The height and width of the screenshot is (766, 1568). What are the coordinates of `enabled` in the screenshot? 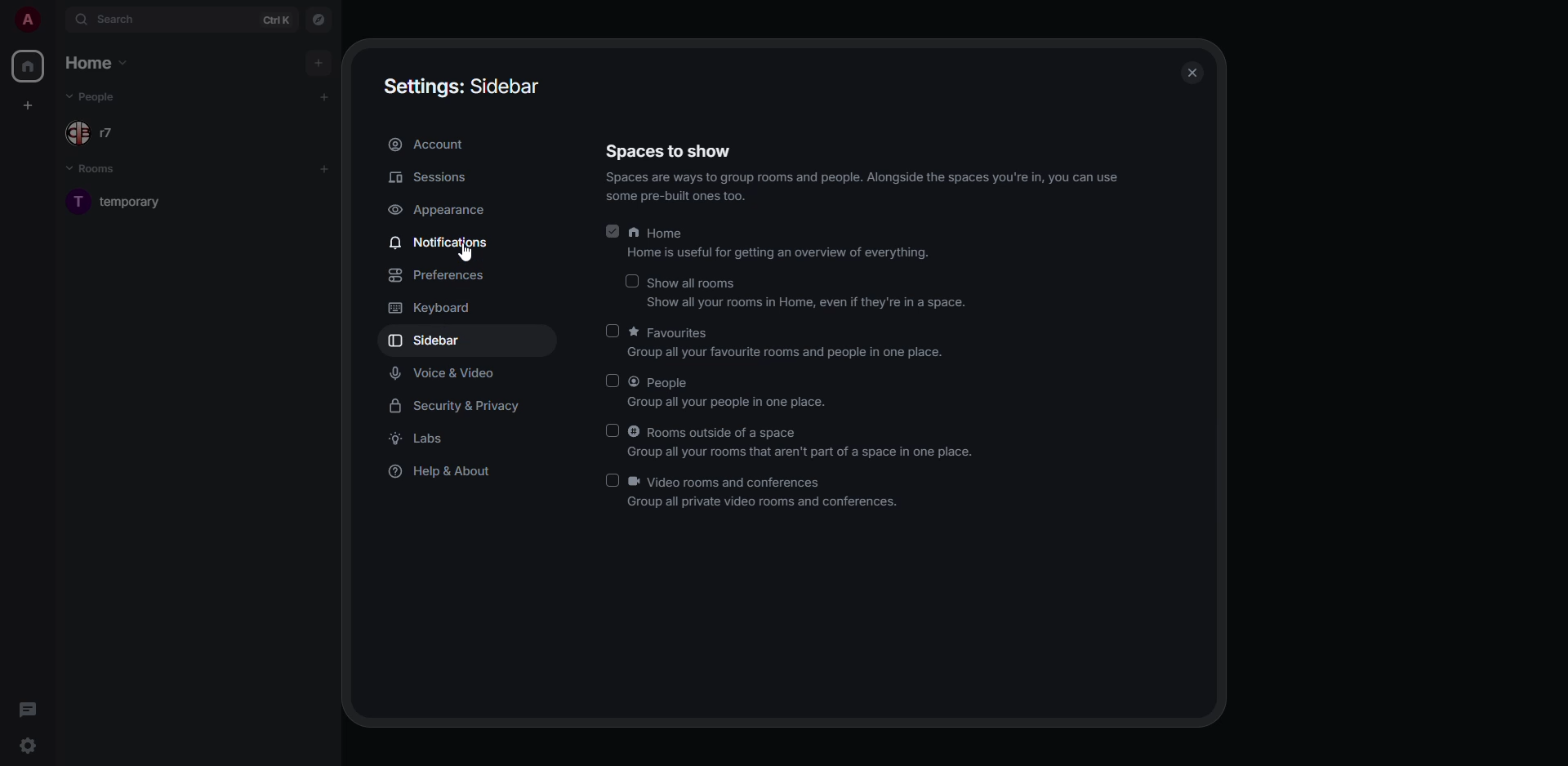 It's located at (609, 230).